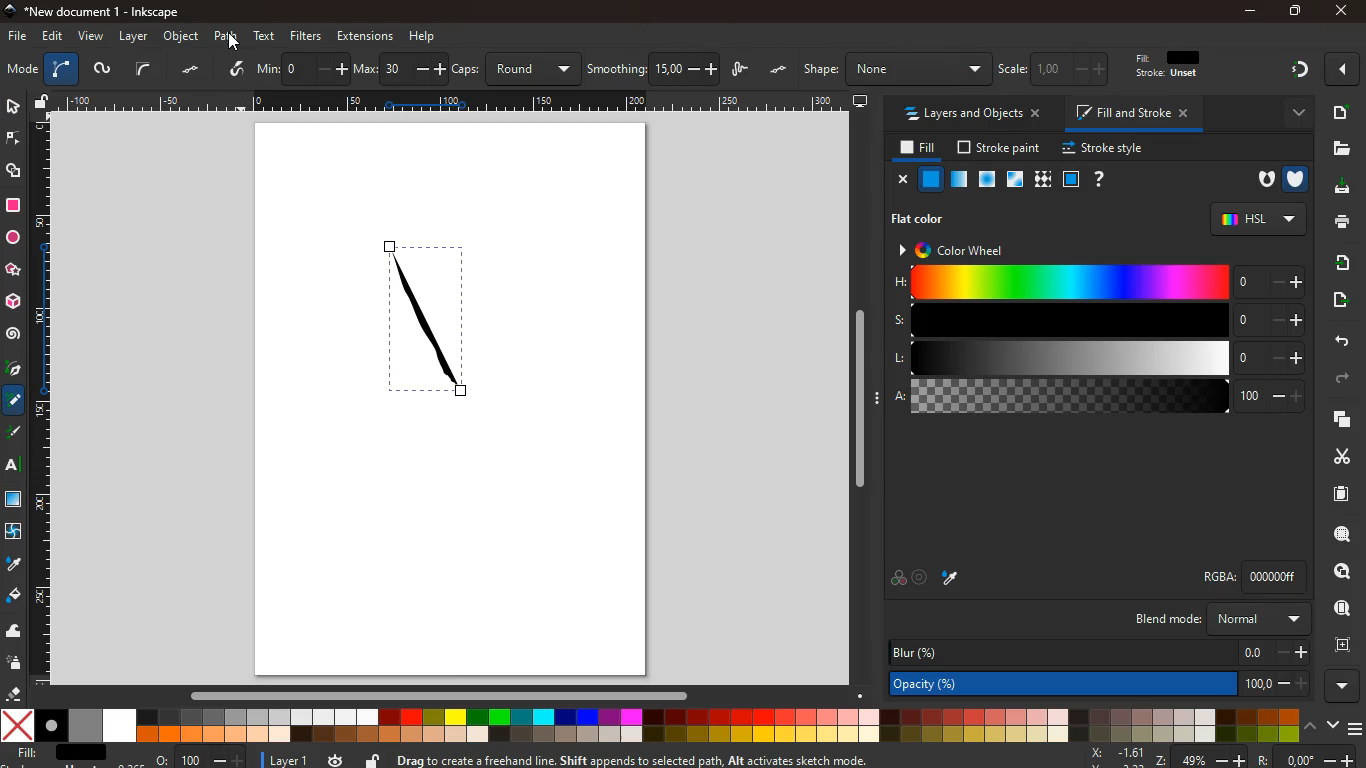 The width and height of the screenshot is (1366, 768). Describe the element at coordinates (302, 67) in the screenshot. I see `min` at that location.